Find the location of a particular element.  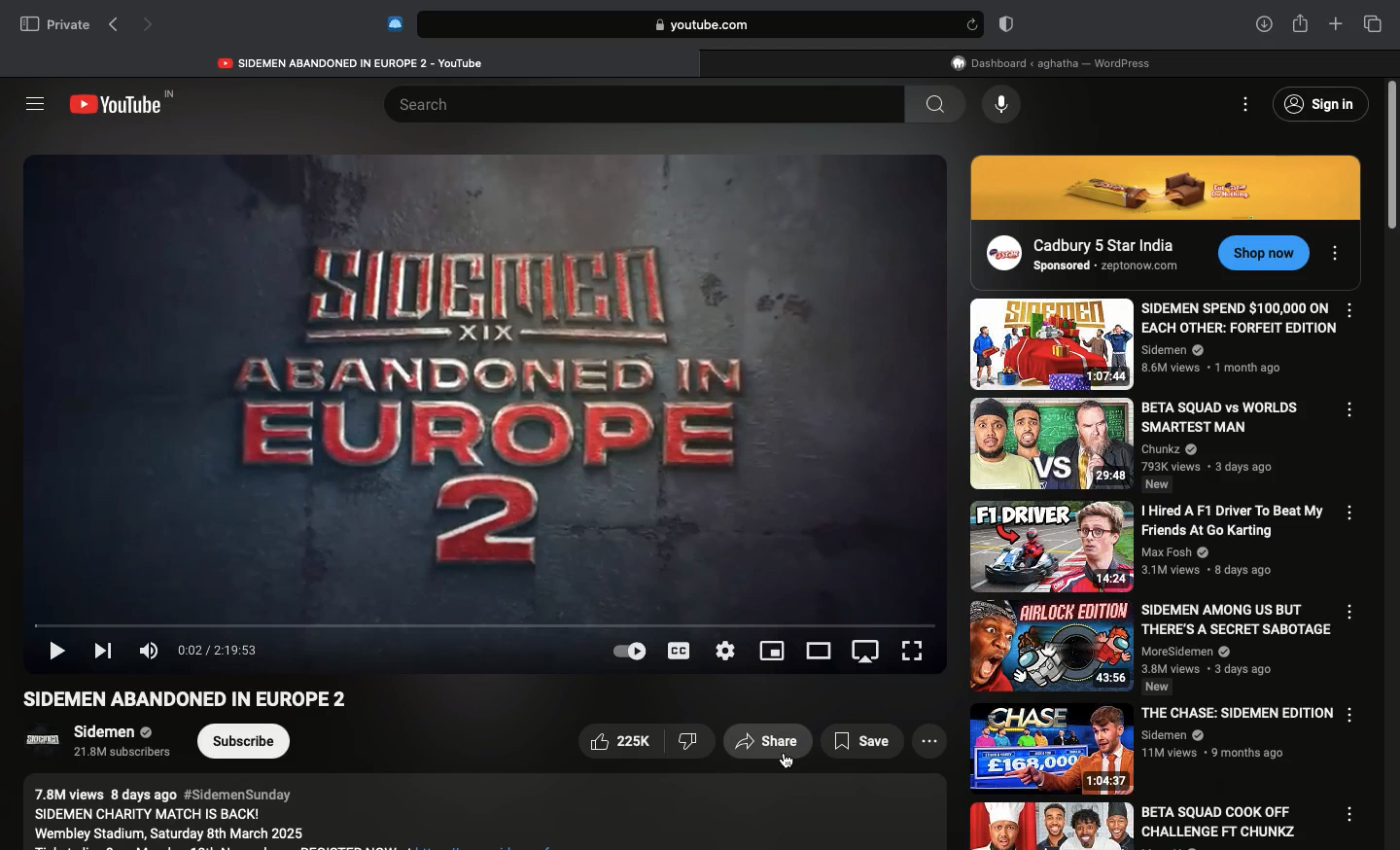

New tab is located at coordinates (1336, 24).